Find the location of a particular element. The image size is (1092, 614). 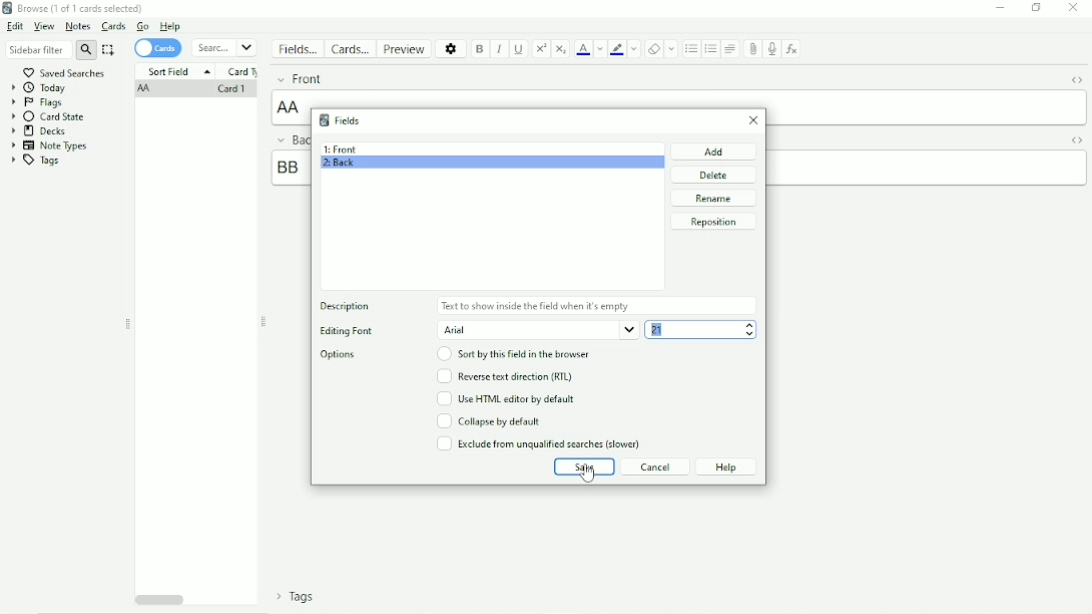

Card State is located at coordinates (51, 117).